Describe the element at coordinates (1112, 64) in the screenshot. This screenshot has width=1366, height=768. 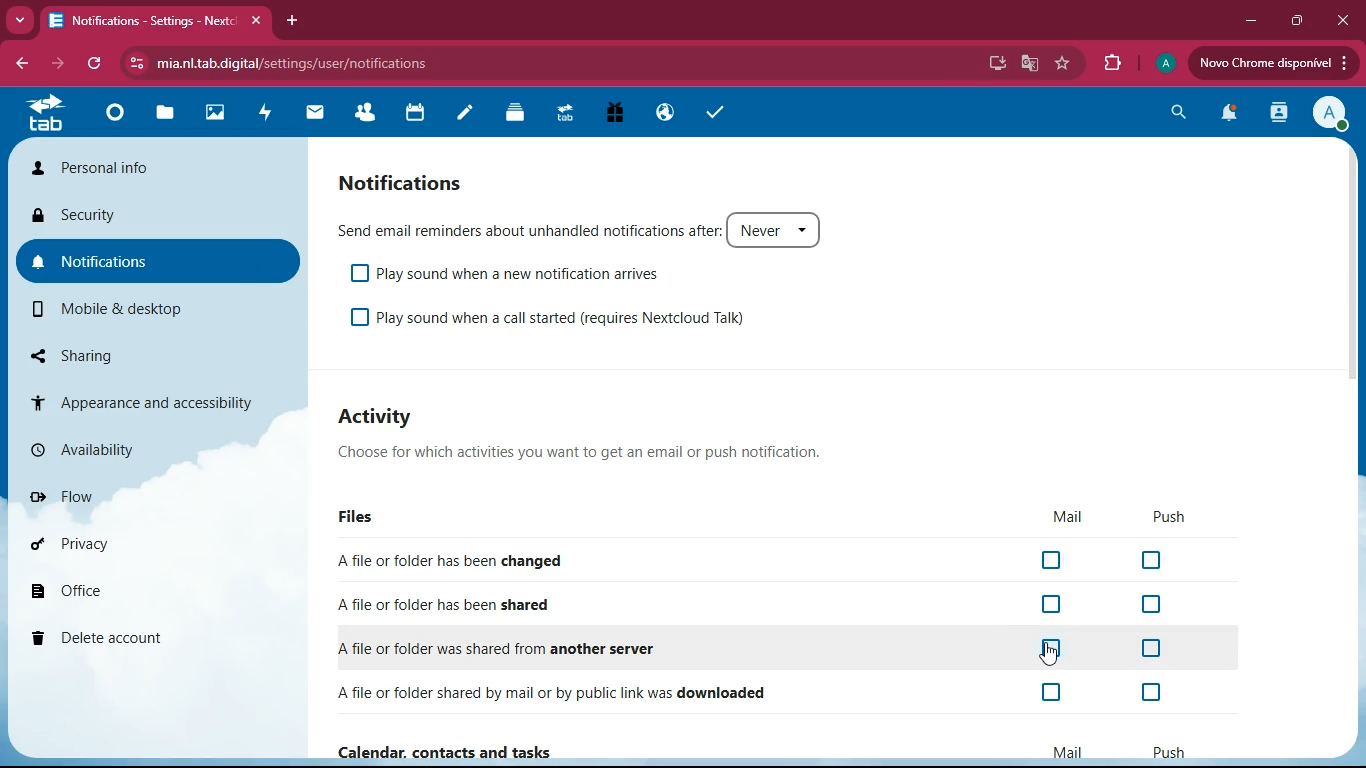
I see `extensions` at that location.